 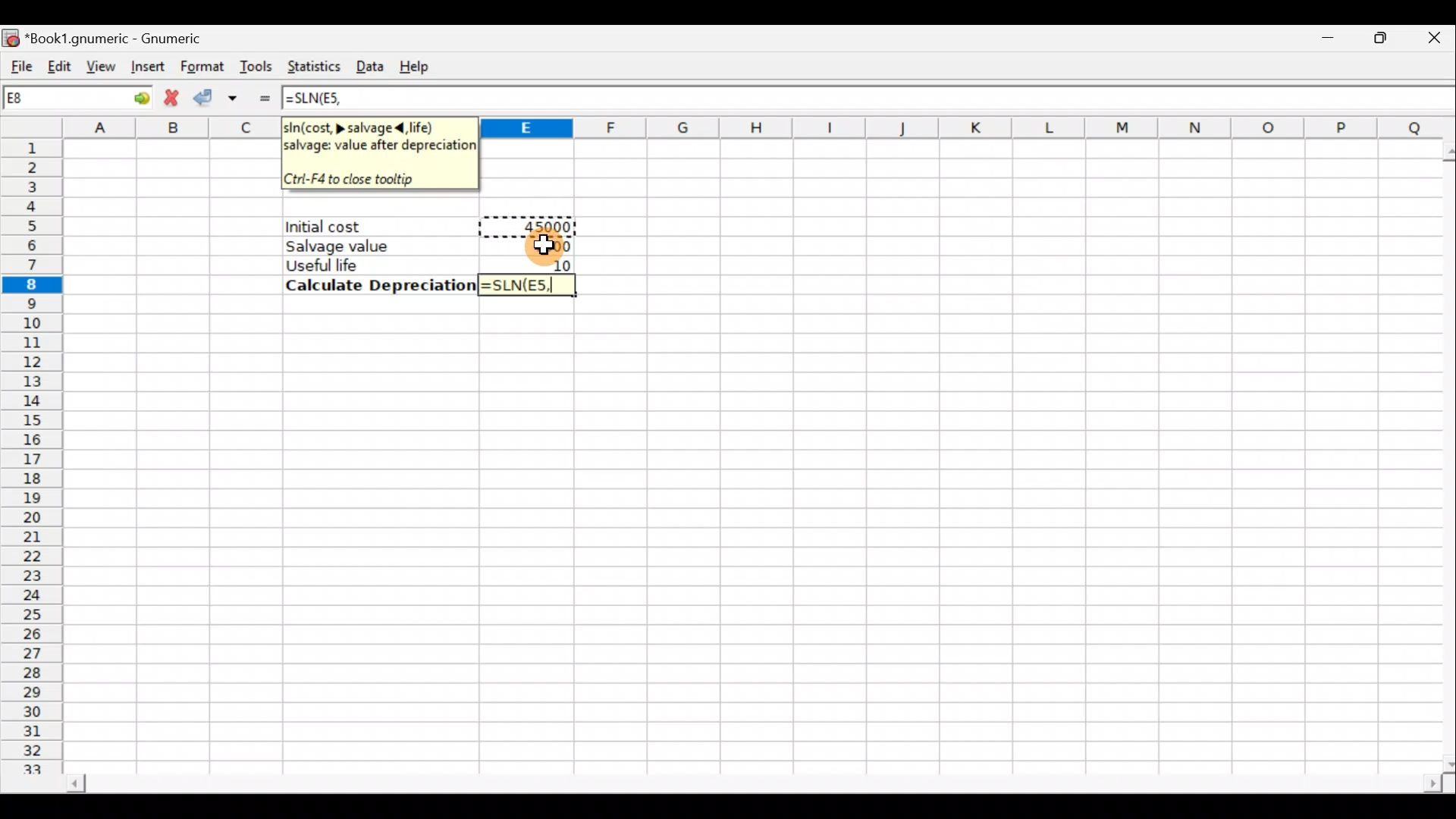 I want to click on Cell name E8, so click(x=51, y=101).